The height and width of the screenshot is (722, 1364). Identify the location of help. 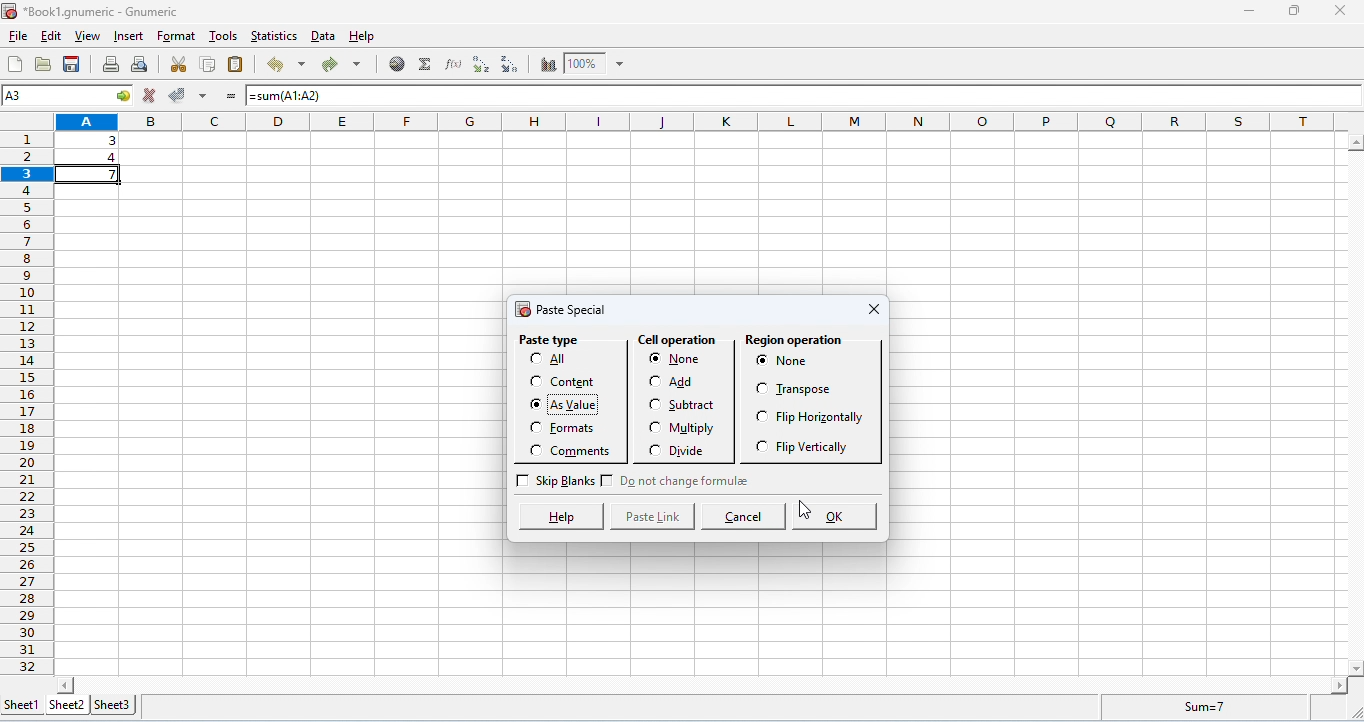
(363, 37).